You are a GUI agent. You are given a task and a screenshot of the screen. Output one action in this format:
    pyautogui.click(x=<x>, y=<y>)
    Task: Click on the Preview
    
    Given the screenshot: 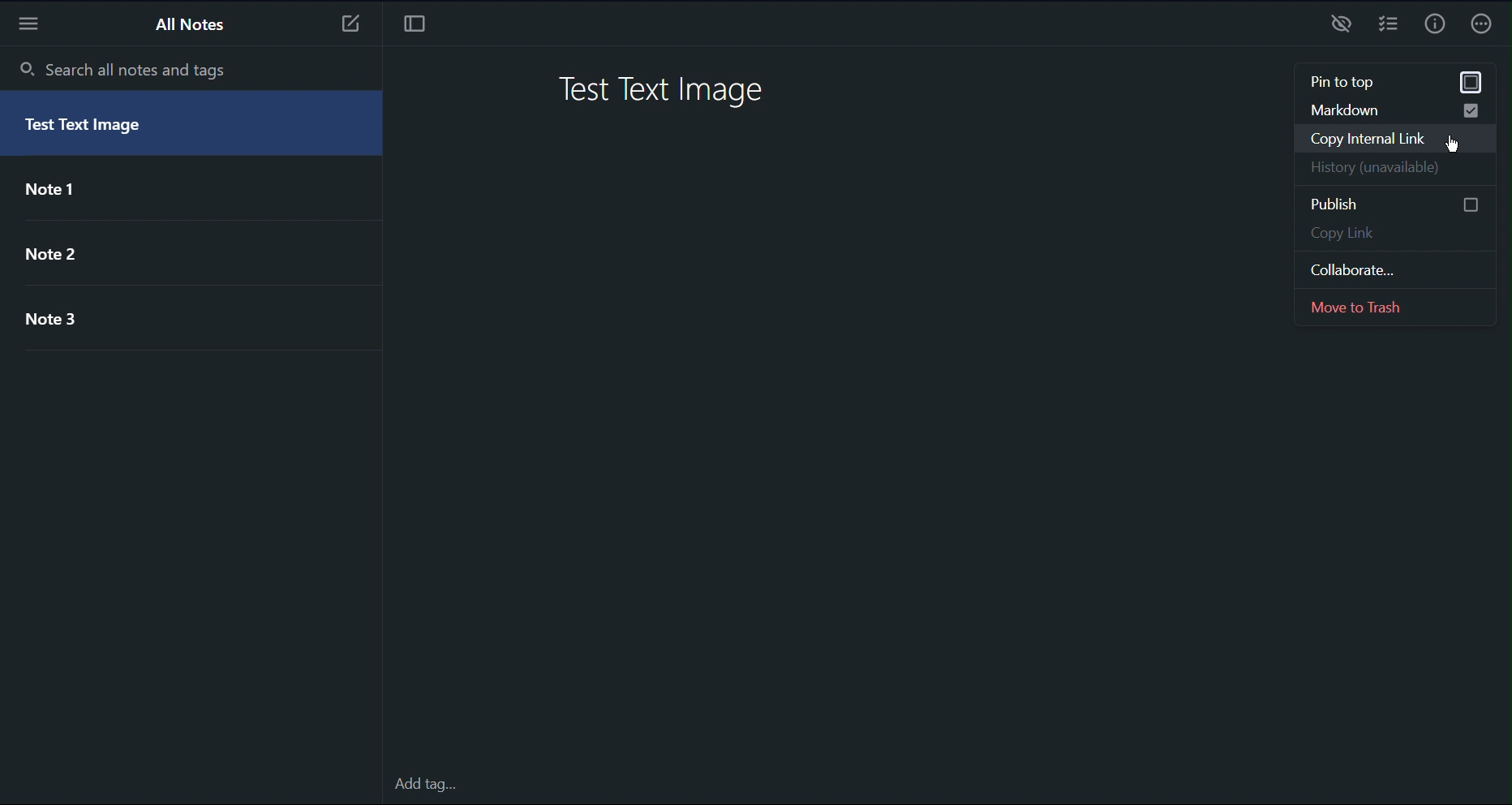 What is the action you would take?
    pyautogui.click(x=1342, y=26)
    